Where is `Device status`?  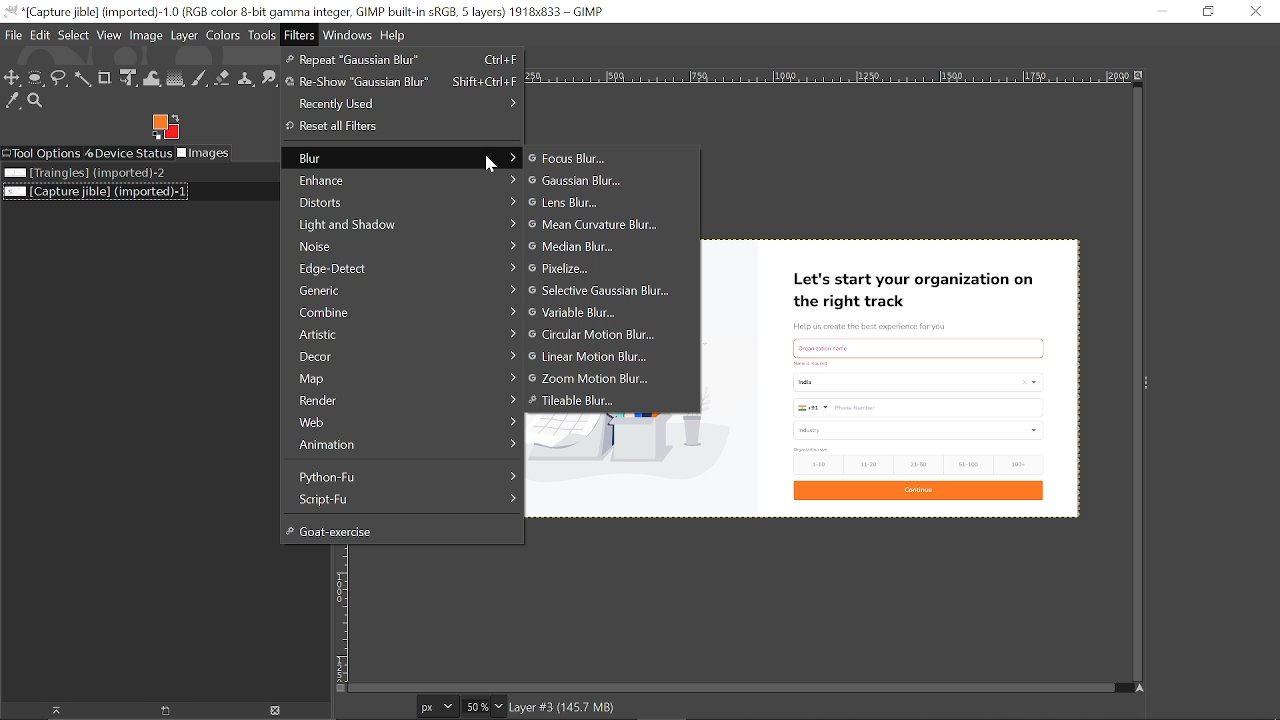 Device status is located at coordinates (128, 153).